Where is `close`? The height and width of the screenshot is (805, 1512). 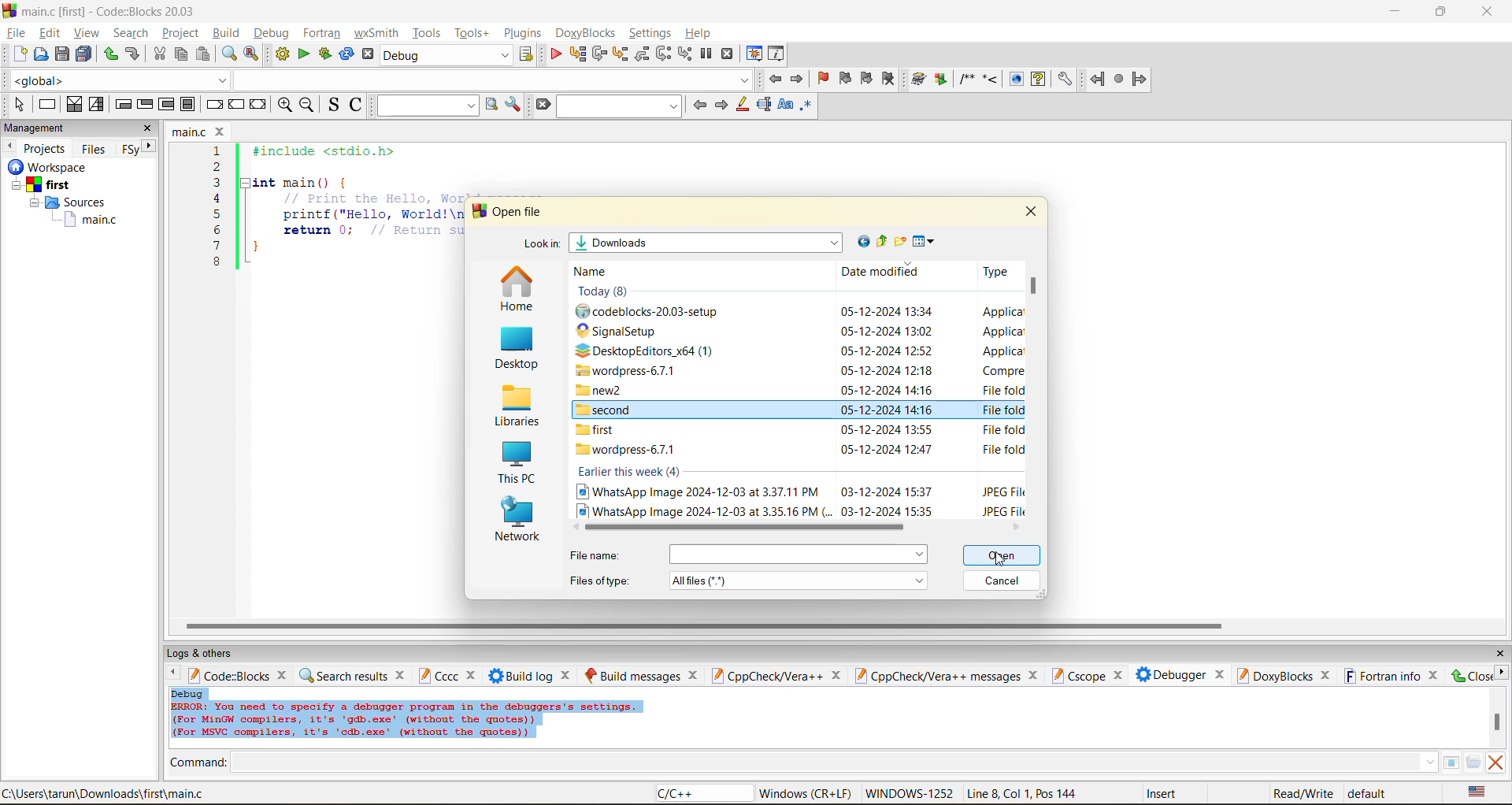 close is located at coordinates (694, 675).